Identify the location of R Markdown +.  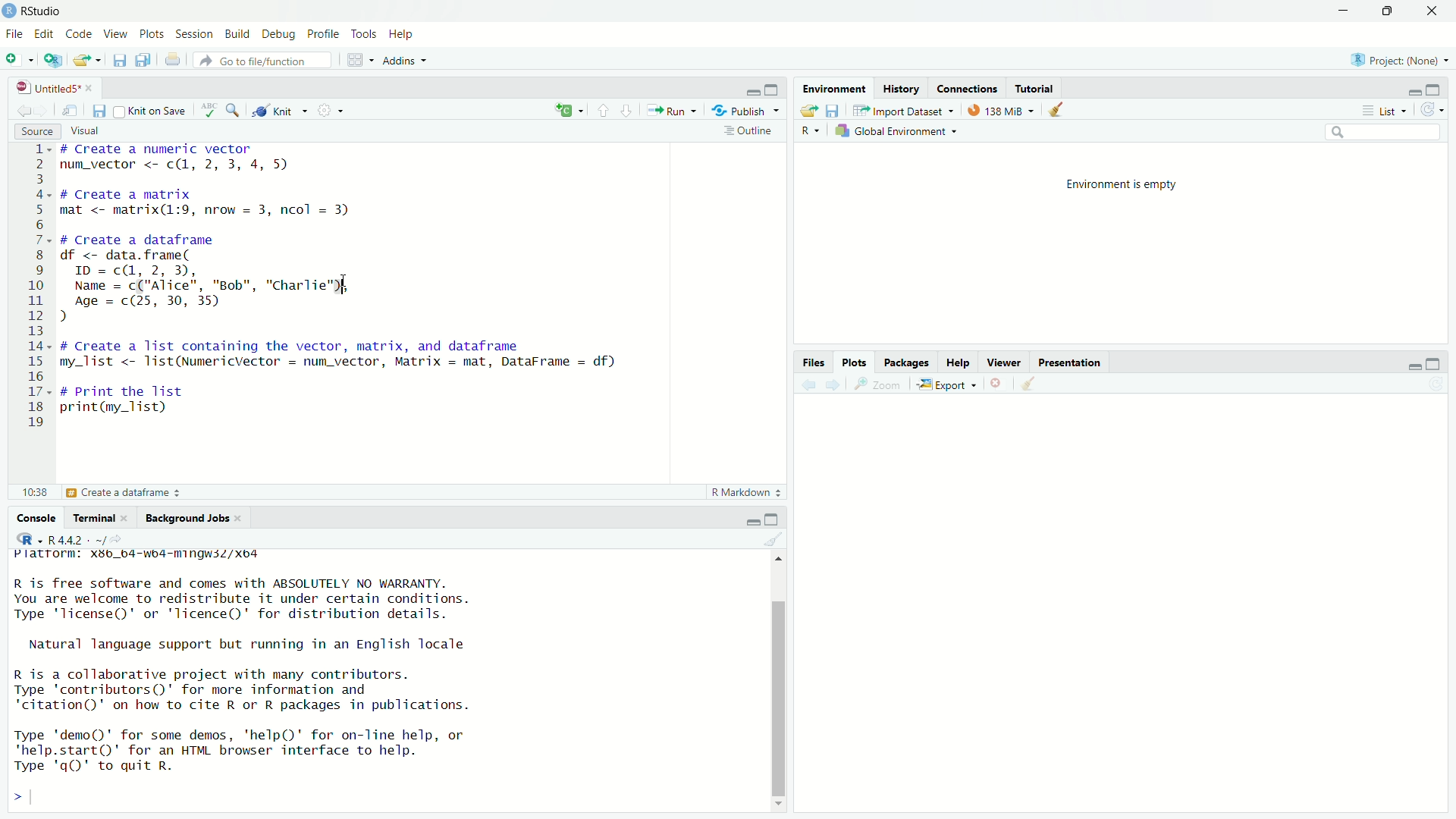
(750, 494).